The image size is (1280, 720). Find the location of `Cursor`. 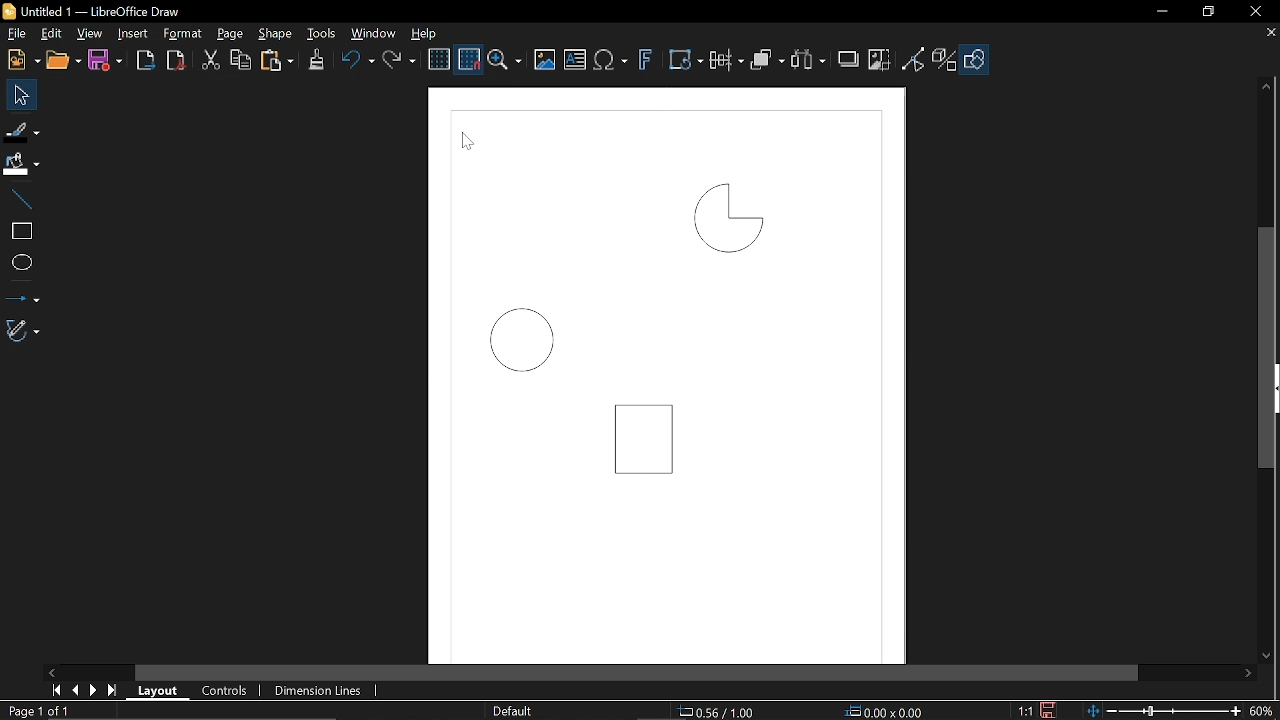

Cursor is located at coordinates (468, 142).